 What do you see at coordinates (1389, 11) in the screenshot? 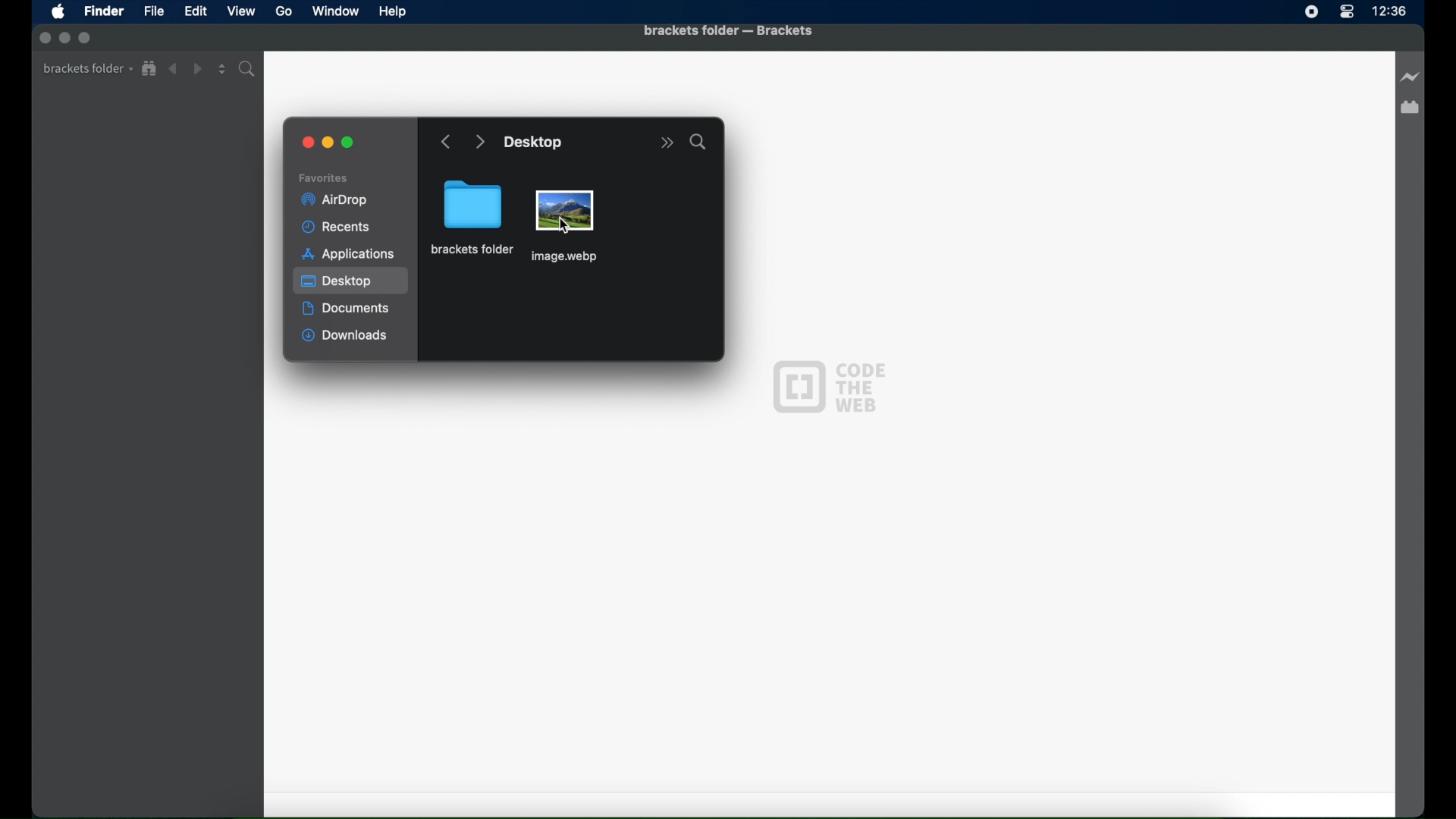
I see `time` at bounding box center [1389, 11].